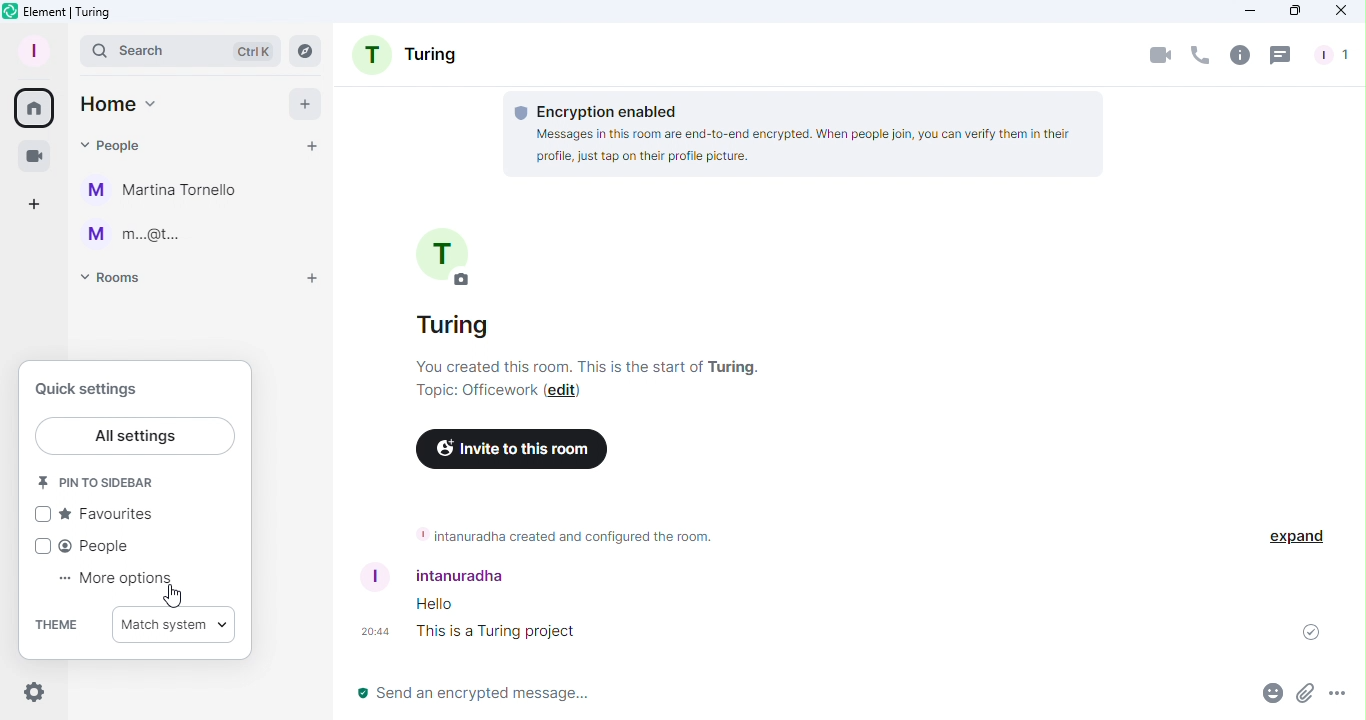 The width and height of the screenshot is (1366, 720). What do you see at coordinates (1288, 12) in the screenshot?
I see `Maximize` at bounding box center [1288, 12].